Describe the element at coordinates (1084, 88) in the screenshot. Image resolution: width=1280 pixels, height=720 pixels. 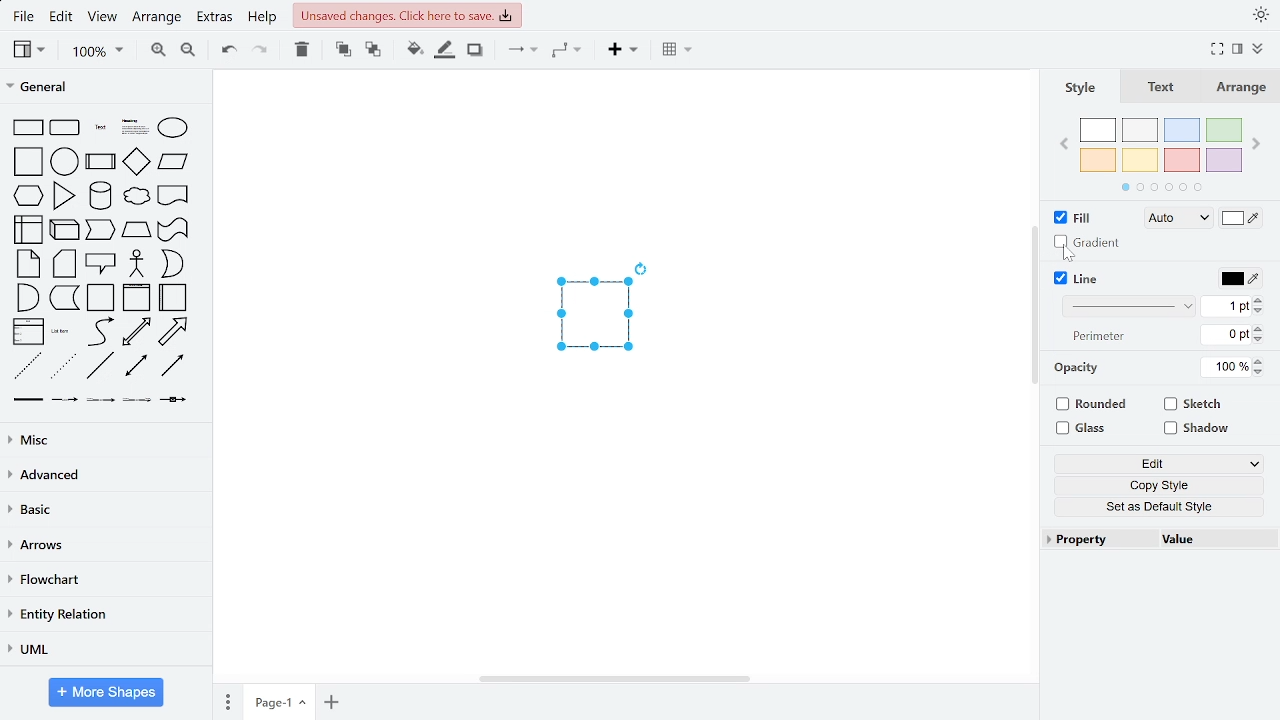
I see `style` at that location.